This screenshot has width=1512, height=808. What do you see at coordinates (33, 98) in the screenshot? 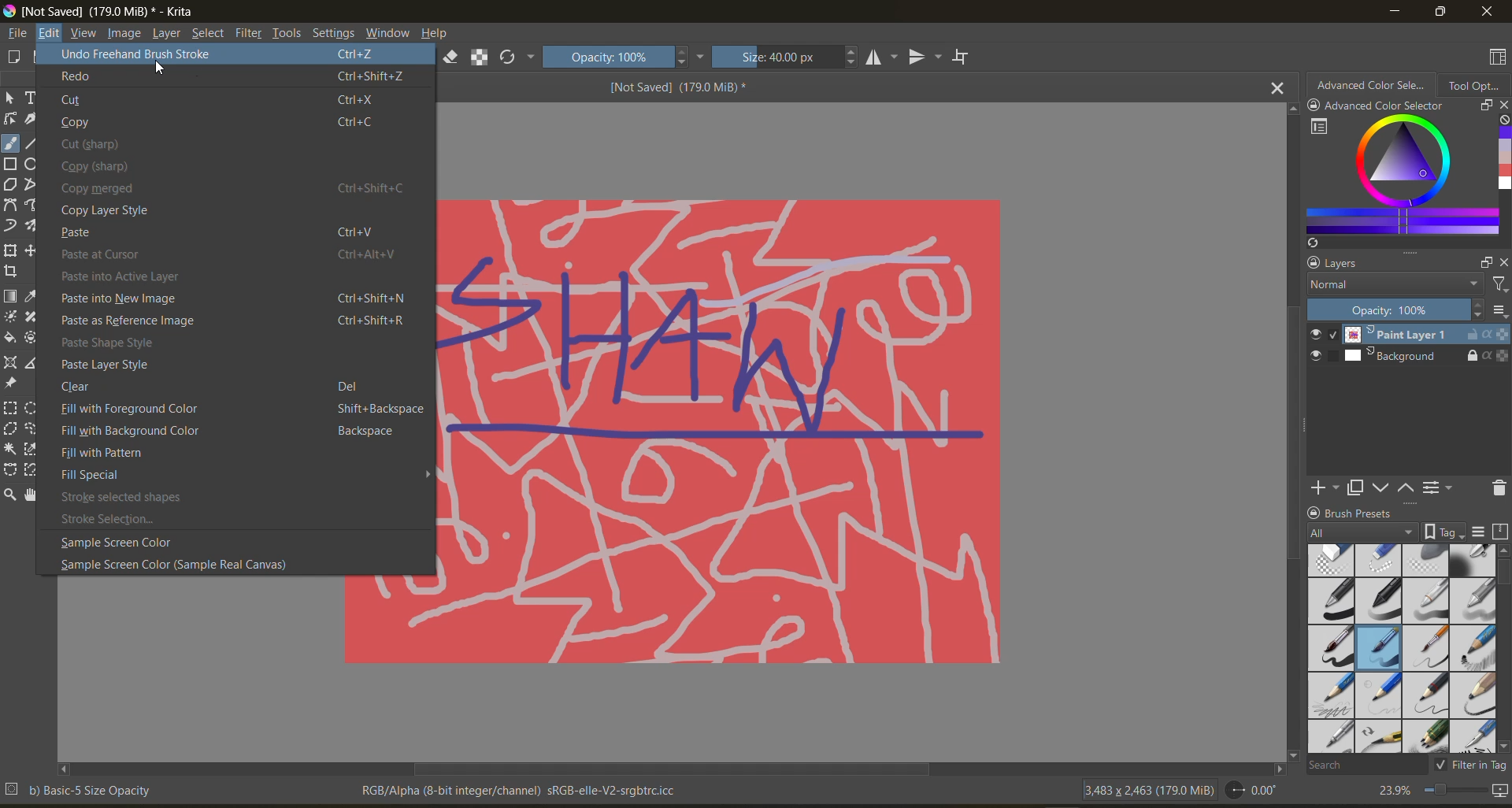
I see `type tool` at bounding box center [33, 98].